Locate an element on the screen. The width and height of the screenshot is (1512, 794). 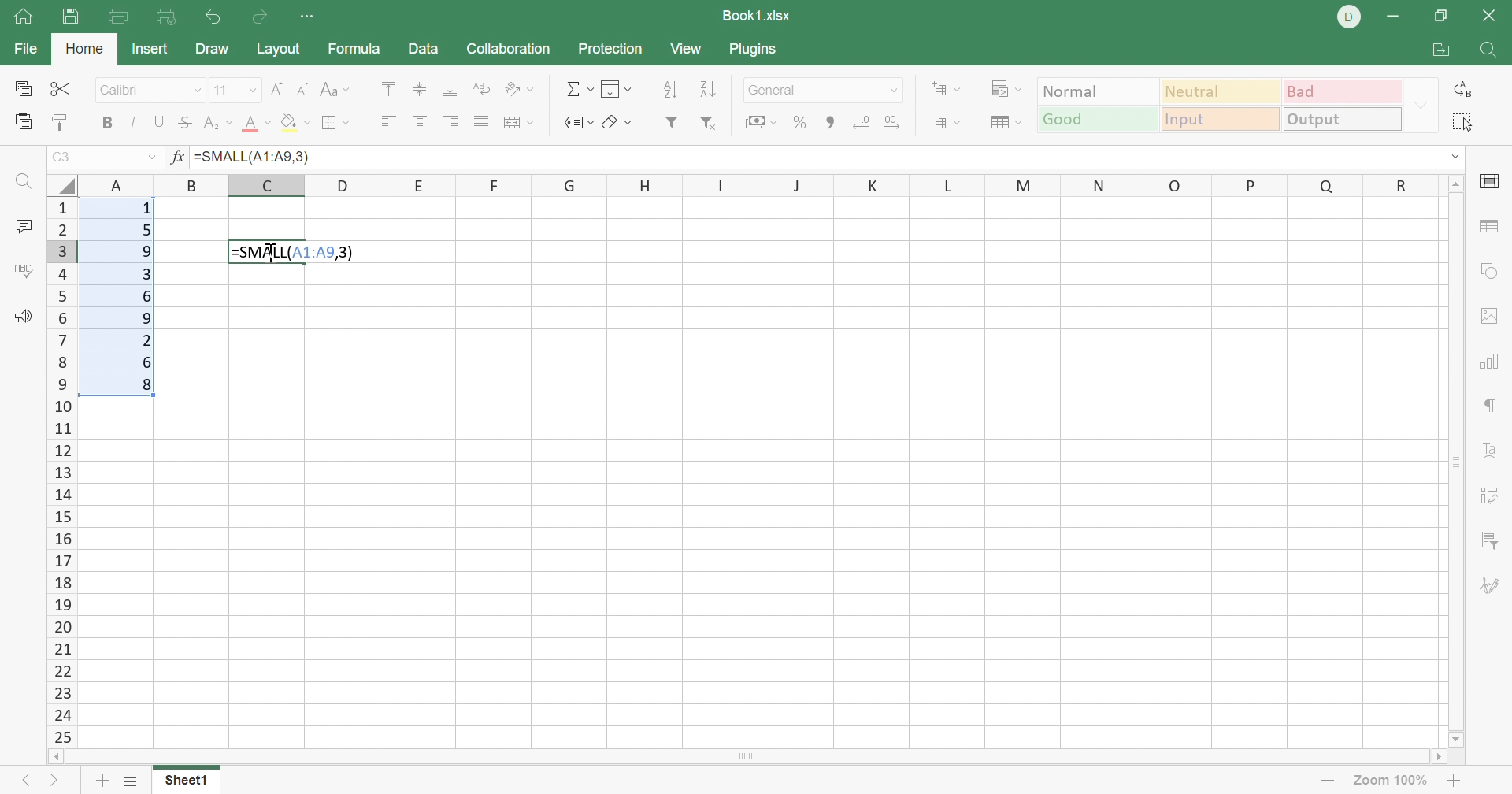
Sheet1 is located at coordinates (187, 781).